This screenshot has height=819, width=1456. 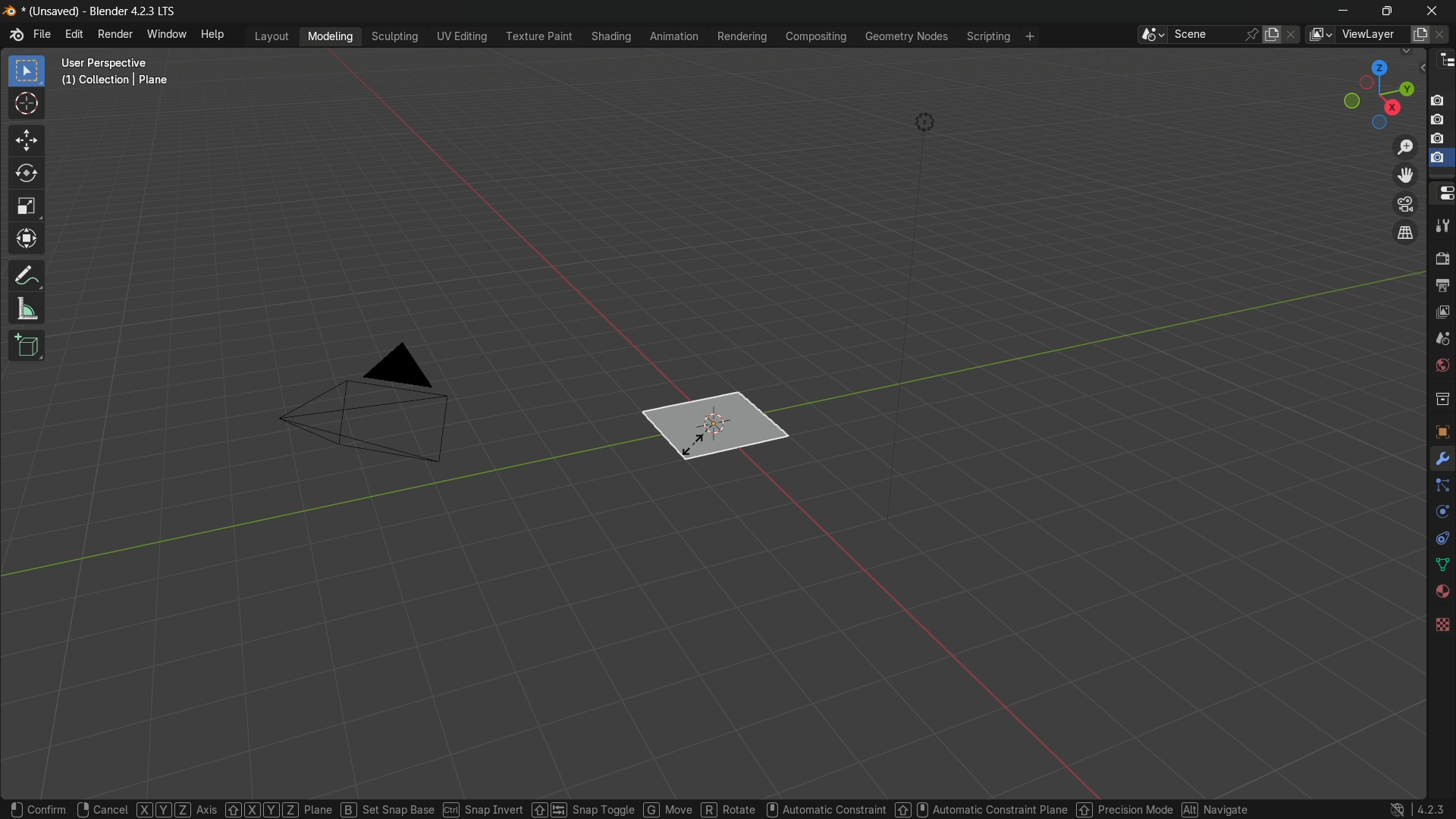 I want to click on close app, so click(x=1434, y=11).